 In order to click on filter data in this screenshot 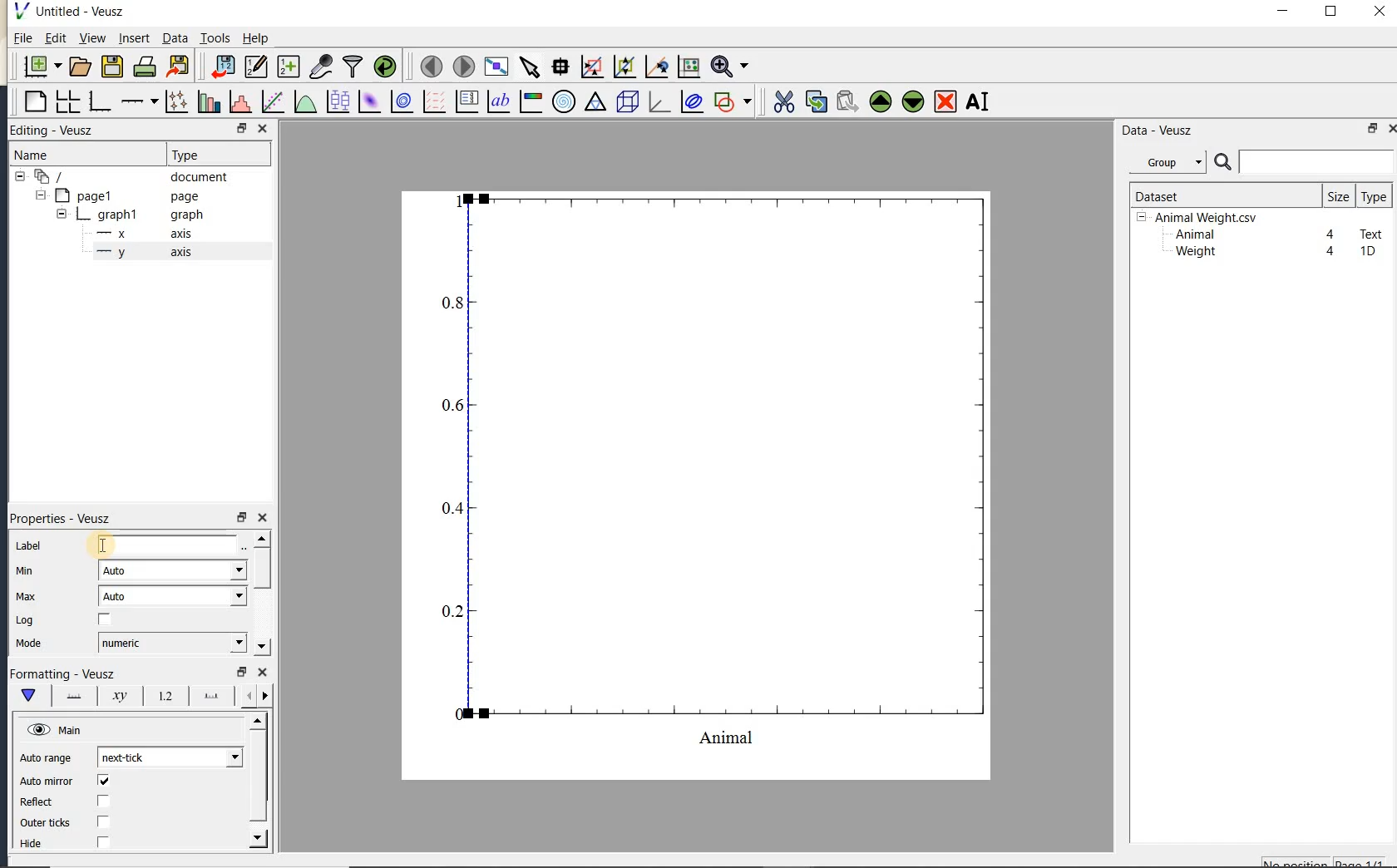, I will do `click(353, 65)`.